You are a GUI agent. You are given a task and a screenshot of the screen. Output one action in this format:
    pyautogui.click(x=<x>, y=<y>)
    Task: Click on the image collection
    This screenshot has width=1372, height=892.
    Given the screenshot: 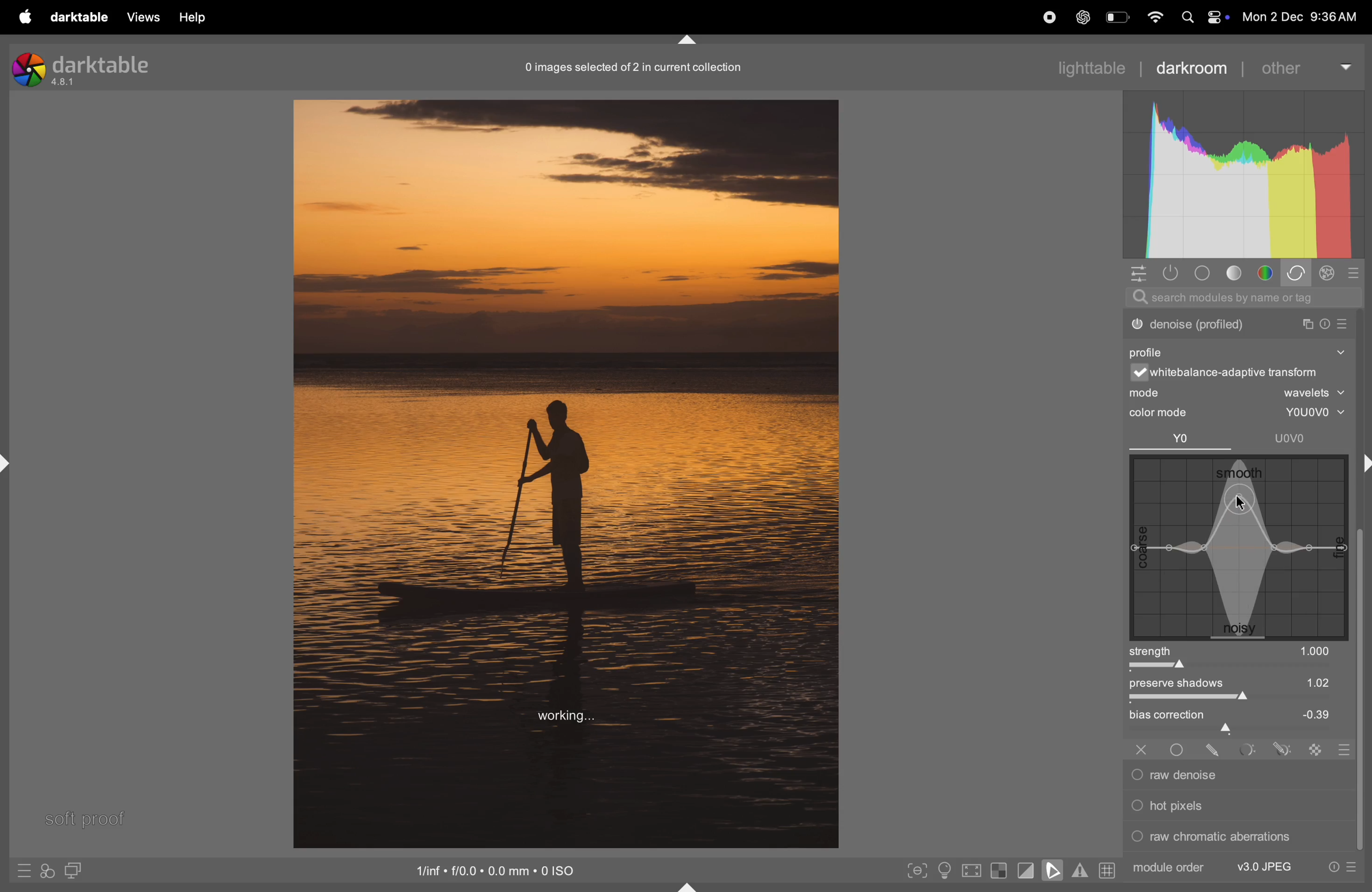 What is the action you would take?
    pyautogui.click(x=631, y=67)
    